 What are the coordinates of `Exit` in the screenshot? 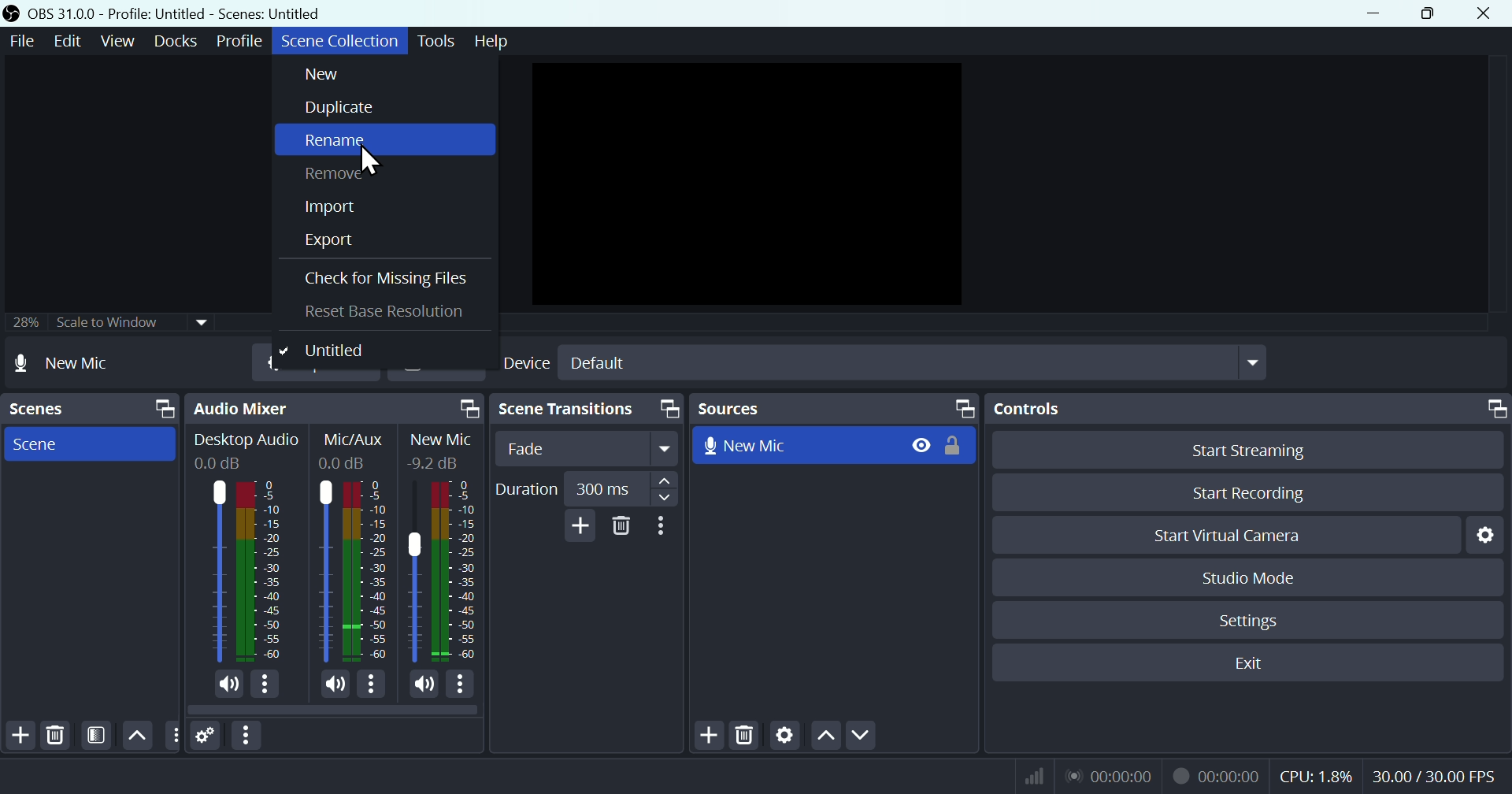 It's located at (1251, 665).